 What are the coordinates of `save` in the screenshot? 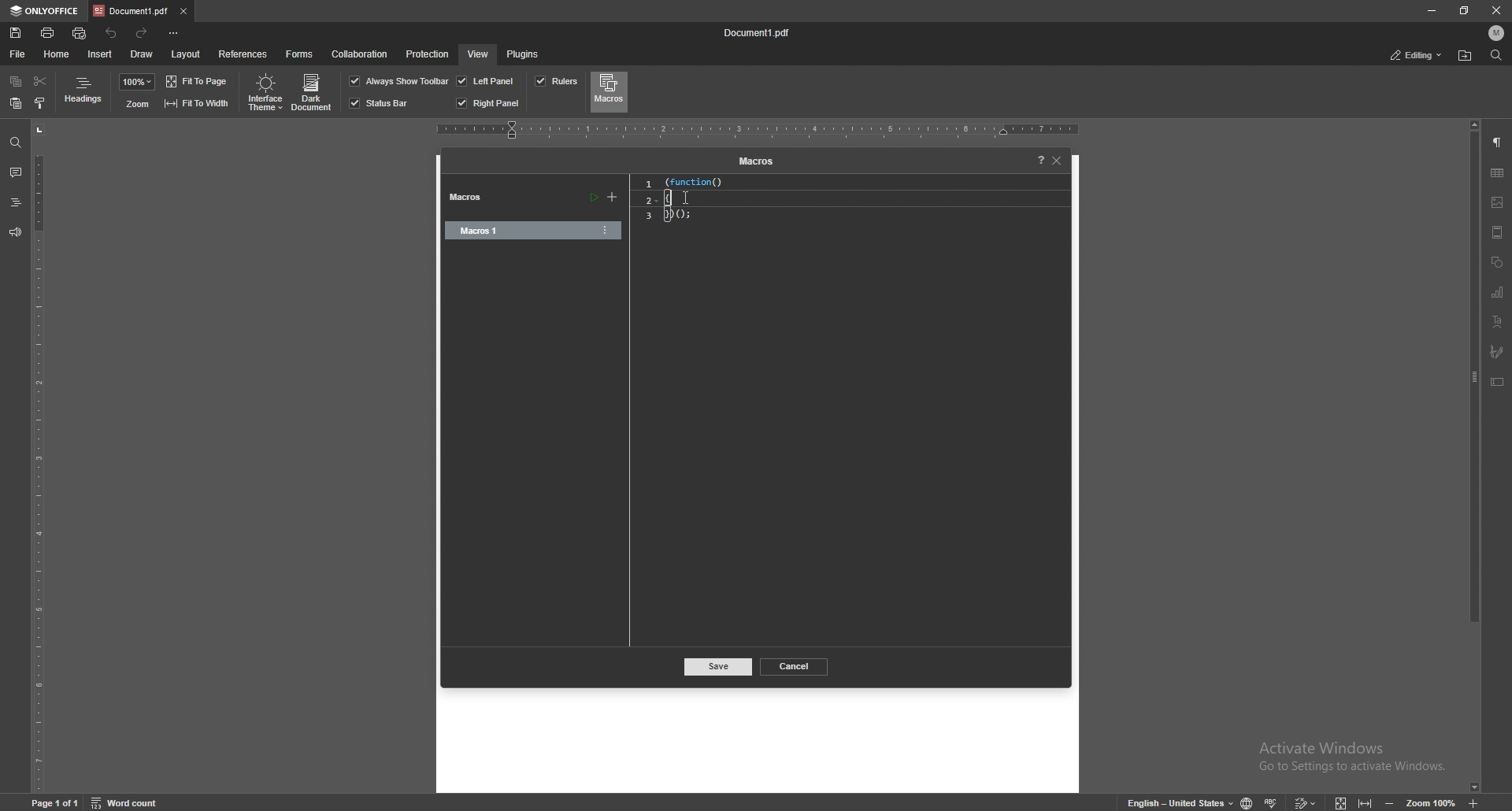 It's located at (719, 668).